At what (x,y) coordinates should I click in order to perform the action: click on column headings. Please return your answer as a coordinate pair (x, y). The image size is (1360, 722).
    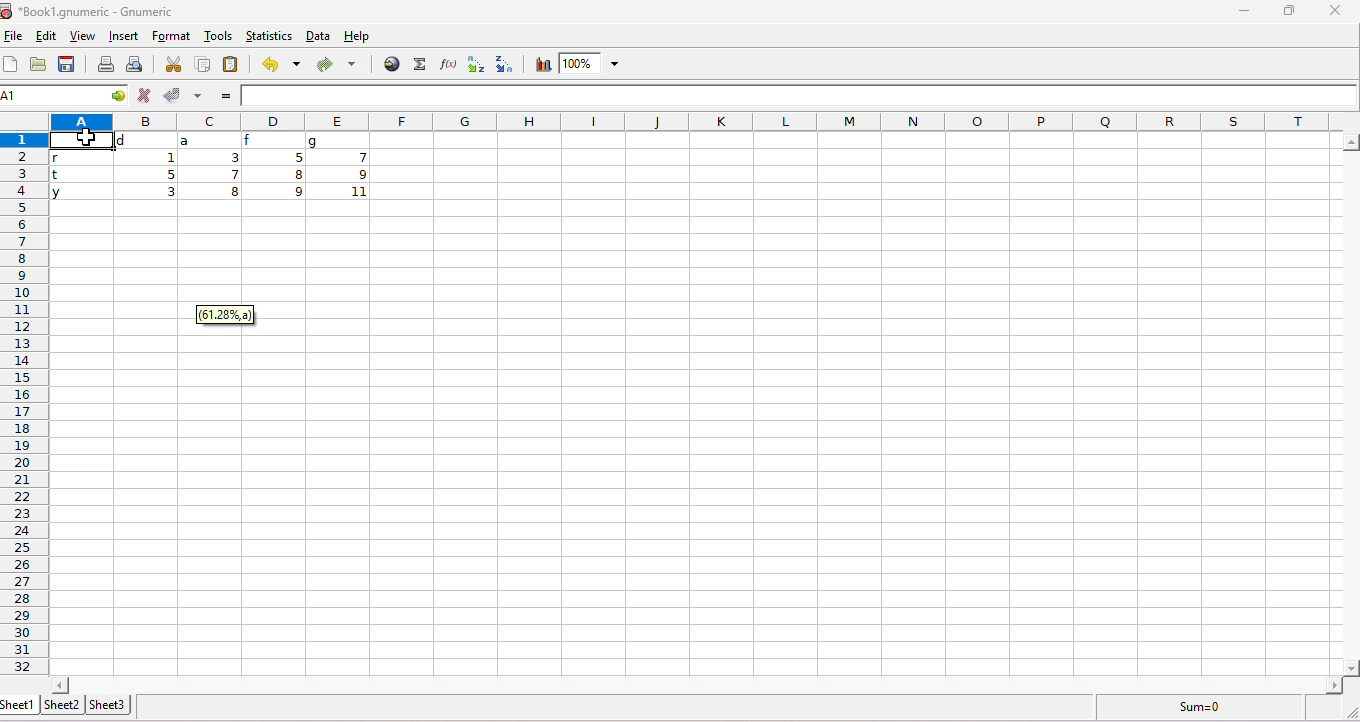
    Looking at the image, I should click on (694, 121).